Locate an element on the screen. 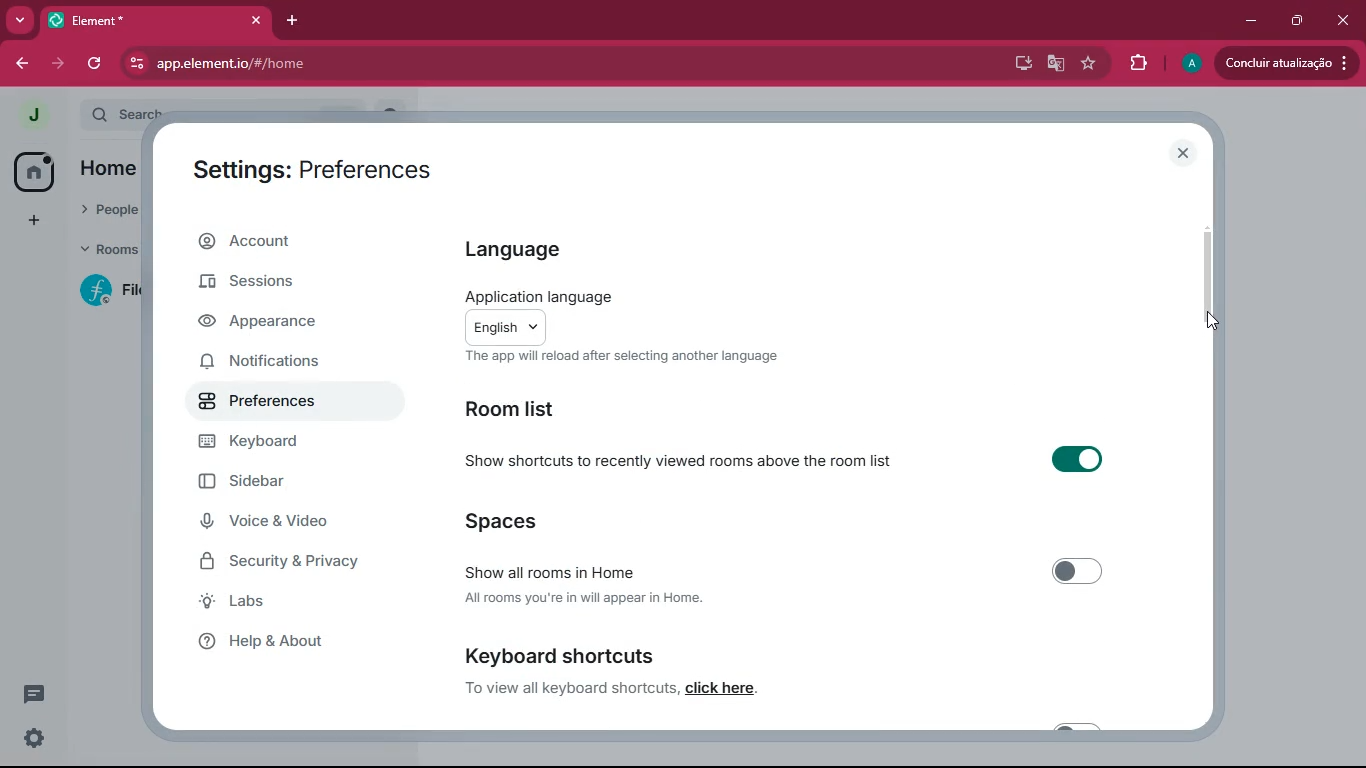 Image resolution: width=1366 pixels, height=768 pixels. The app will reload after selecting another language is located at coordinates (647, 358).